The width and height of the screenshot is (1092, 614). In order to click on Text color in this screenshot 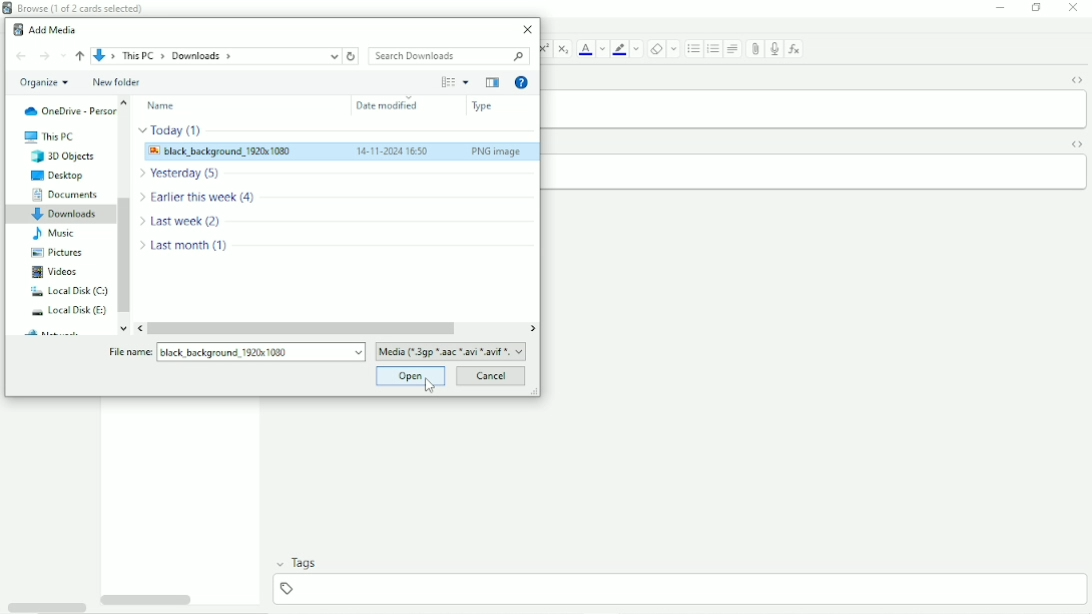, I will do `click(585, 50)`.